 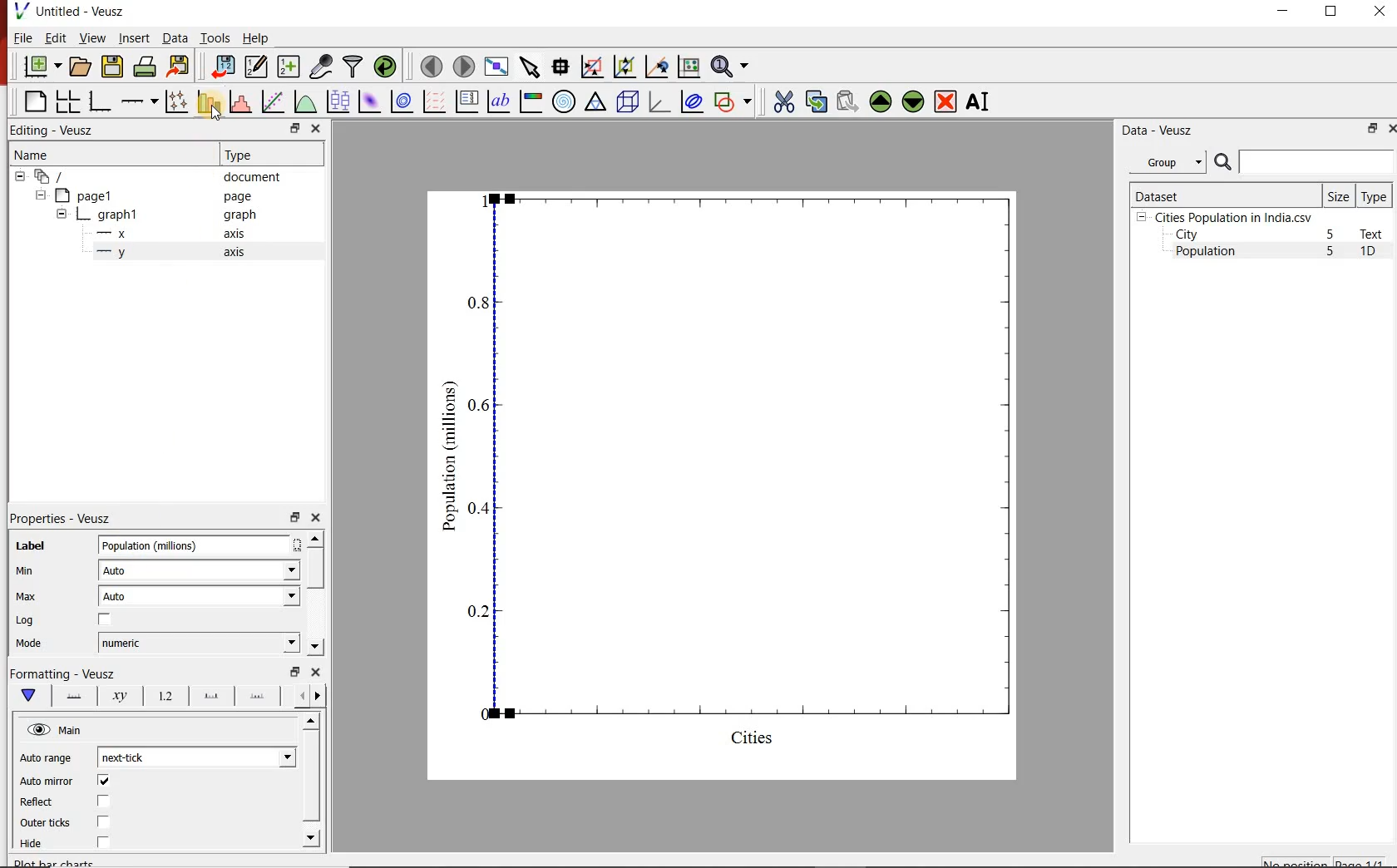 I want to click on Formatting - Veusz, so click(x=64, y=674).